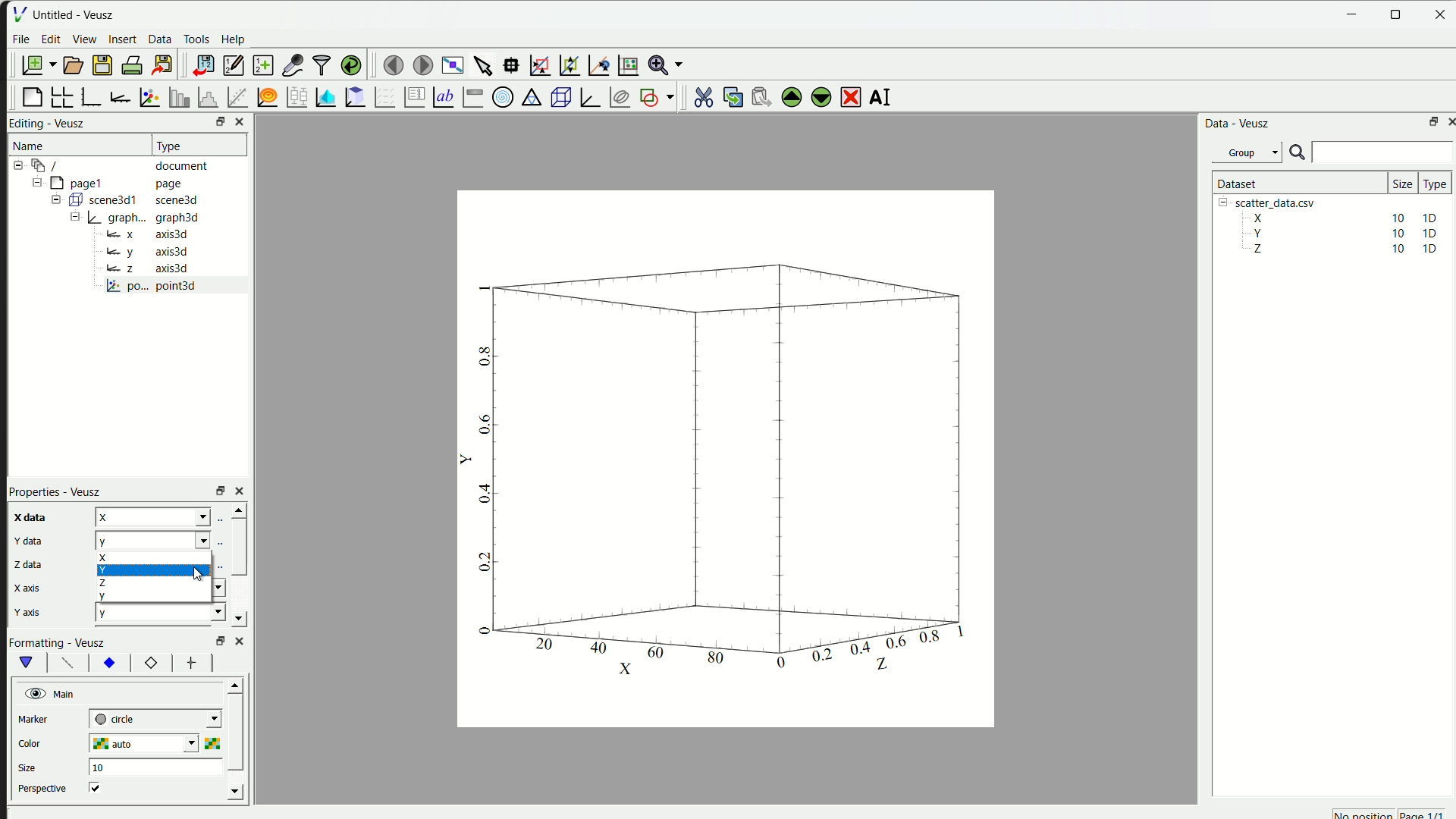  I want to click on plot bar chart, so click(174, 97).